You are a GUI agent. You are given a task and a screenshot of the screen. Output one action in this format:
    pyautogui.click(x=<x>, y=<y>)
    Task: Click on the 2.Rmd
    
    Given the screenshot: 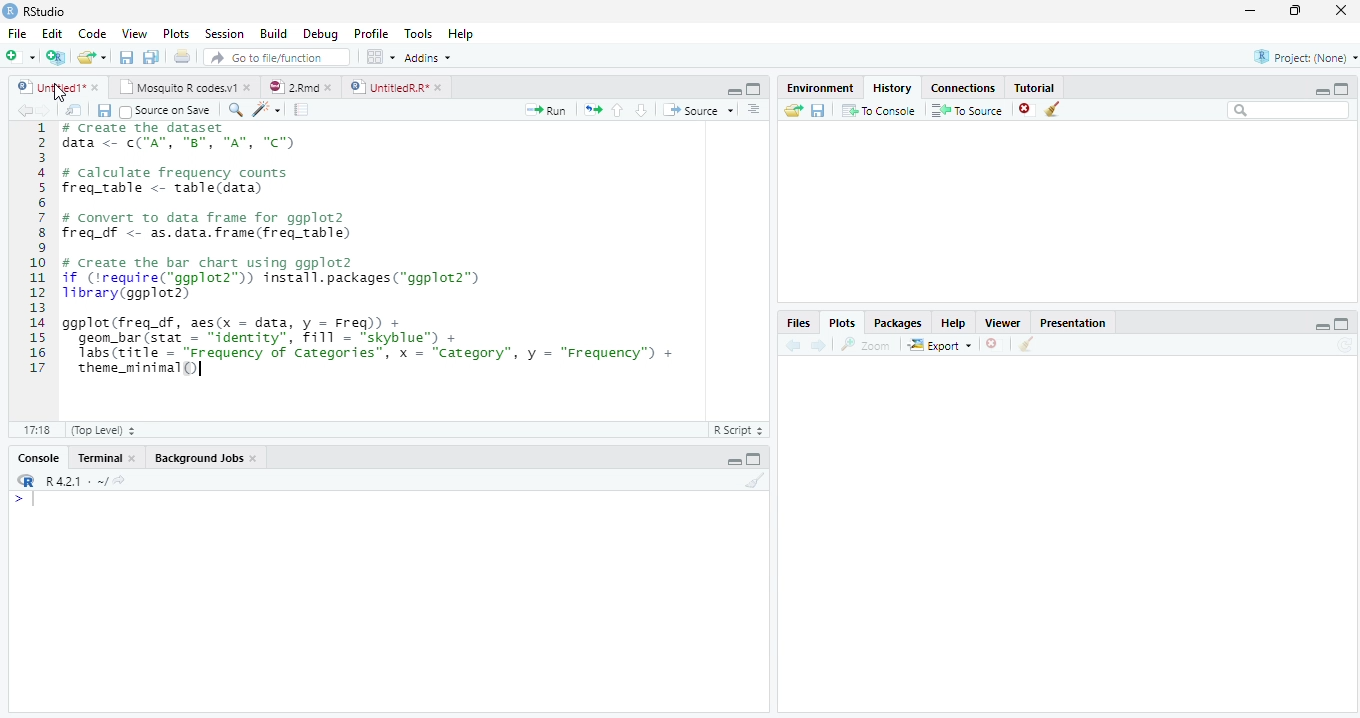 What is the action you would take?
    pyautogui.click(x=300, y=89)
    